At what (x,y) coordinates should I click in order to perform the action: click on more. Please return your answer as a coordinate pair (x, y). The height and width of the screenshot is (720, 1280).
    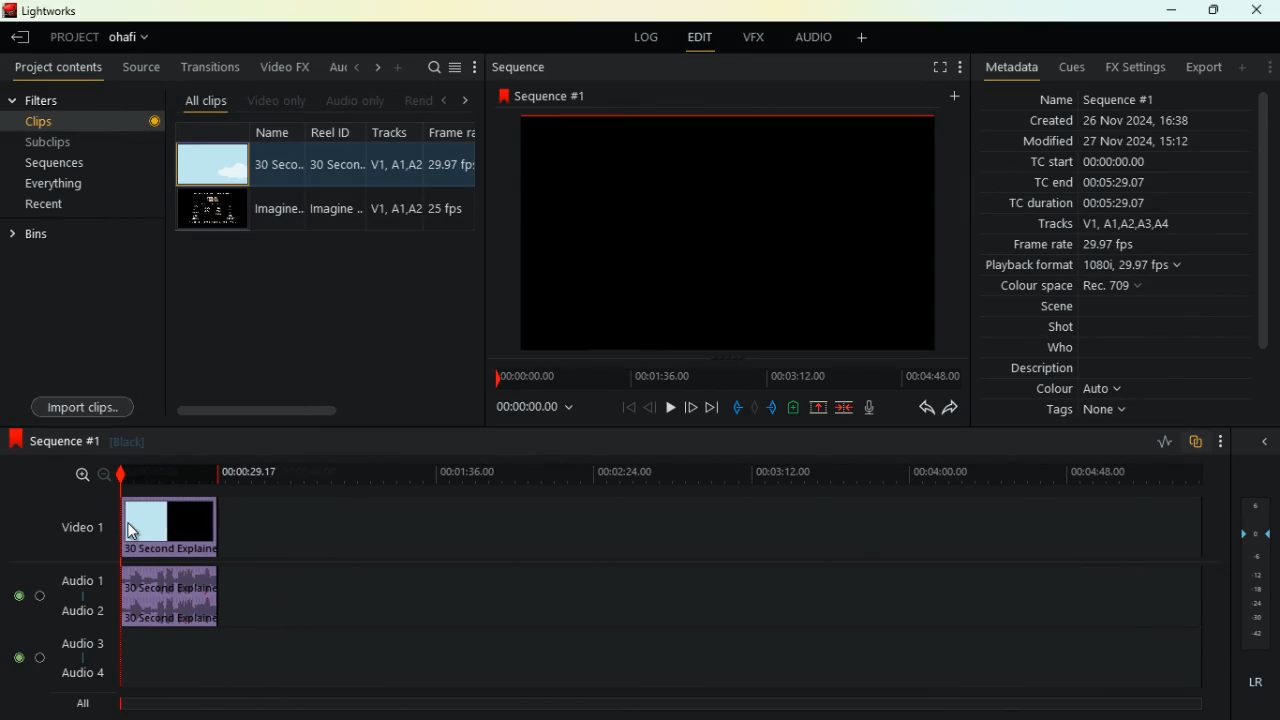
    Looking at the image, I should click on (472, 64).